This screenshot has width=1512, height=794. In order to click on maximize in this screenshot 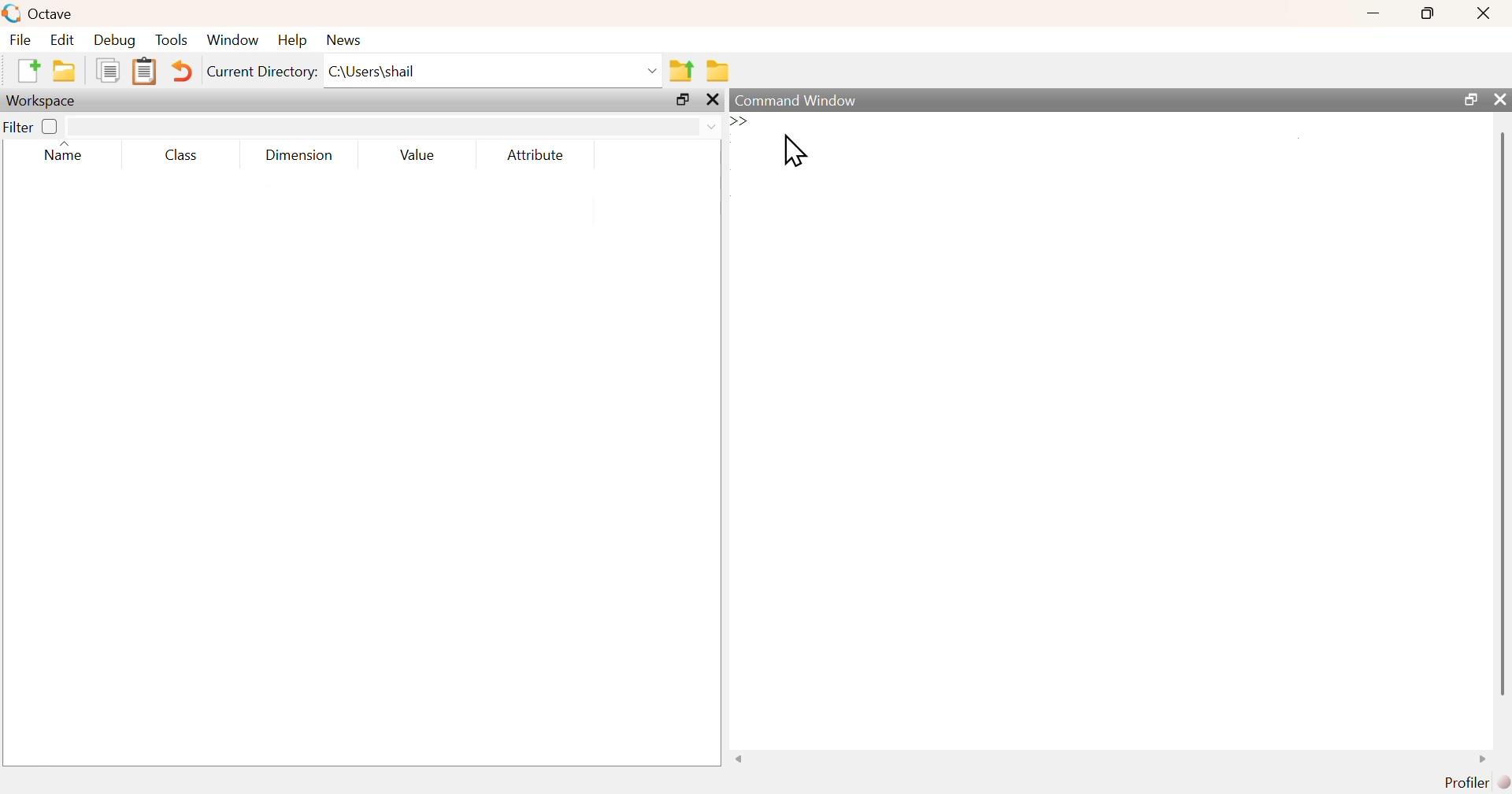, I will do `click(1429, 13)`.